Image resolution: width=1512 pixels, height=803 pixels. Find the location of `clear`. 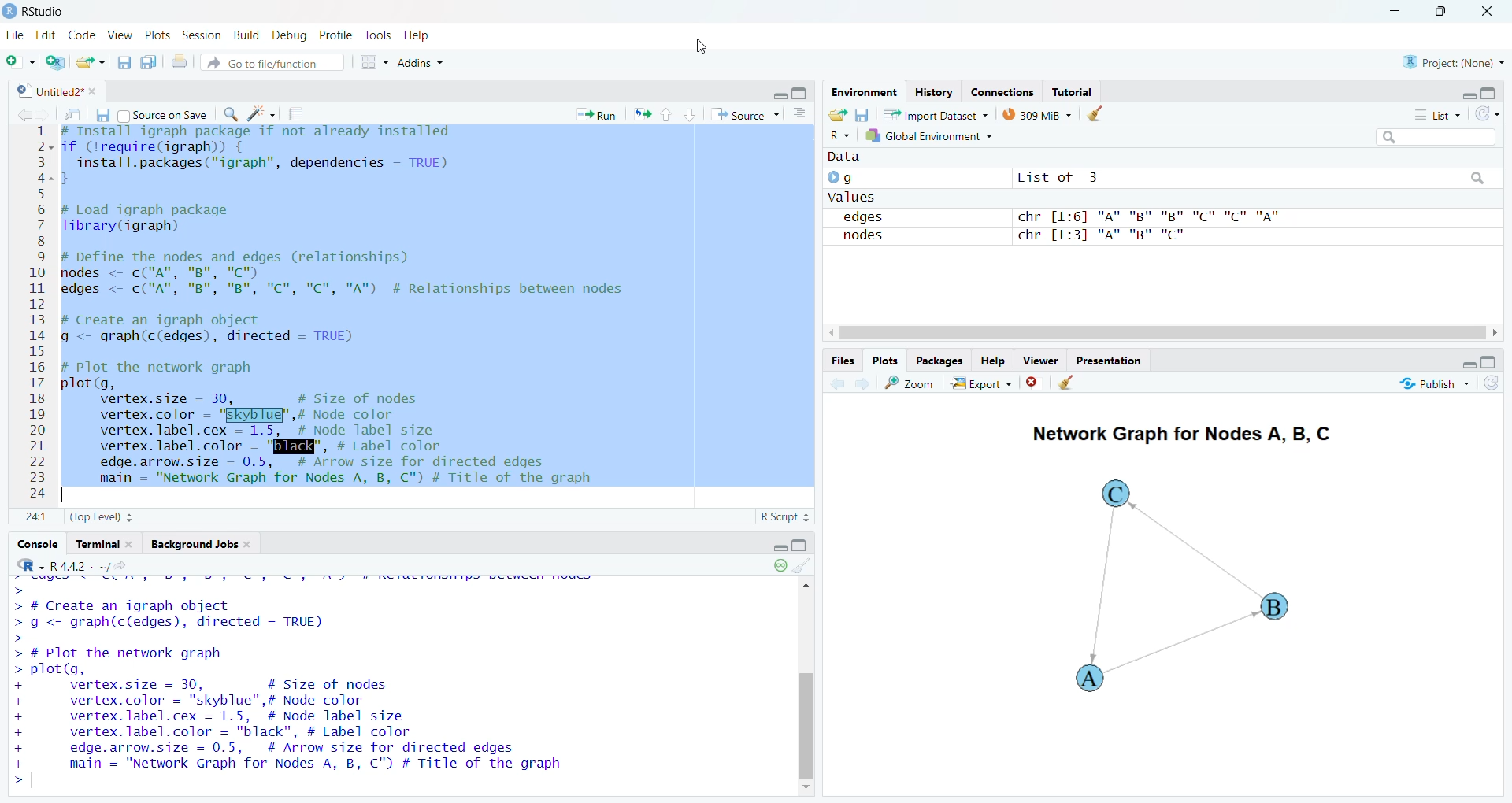

clear is located at coordinates (805, 568).